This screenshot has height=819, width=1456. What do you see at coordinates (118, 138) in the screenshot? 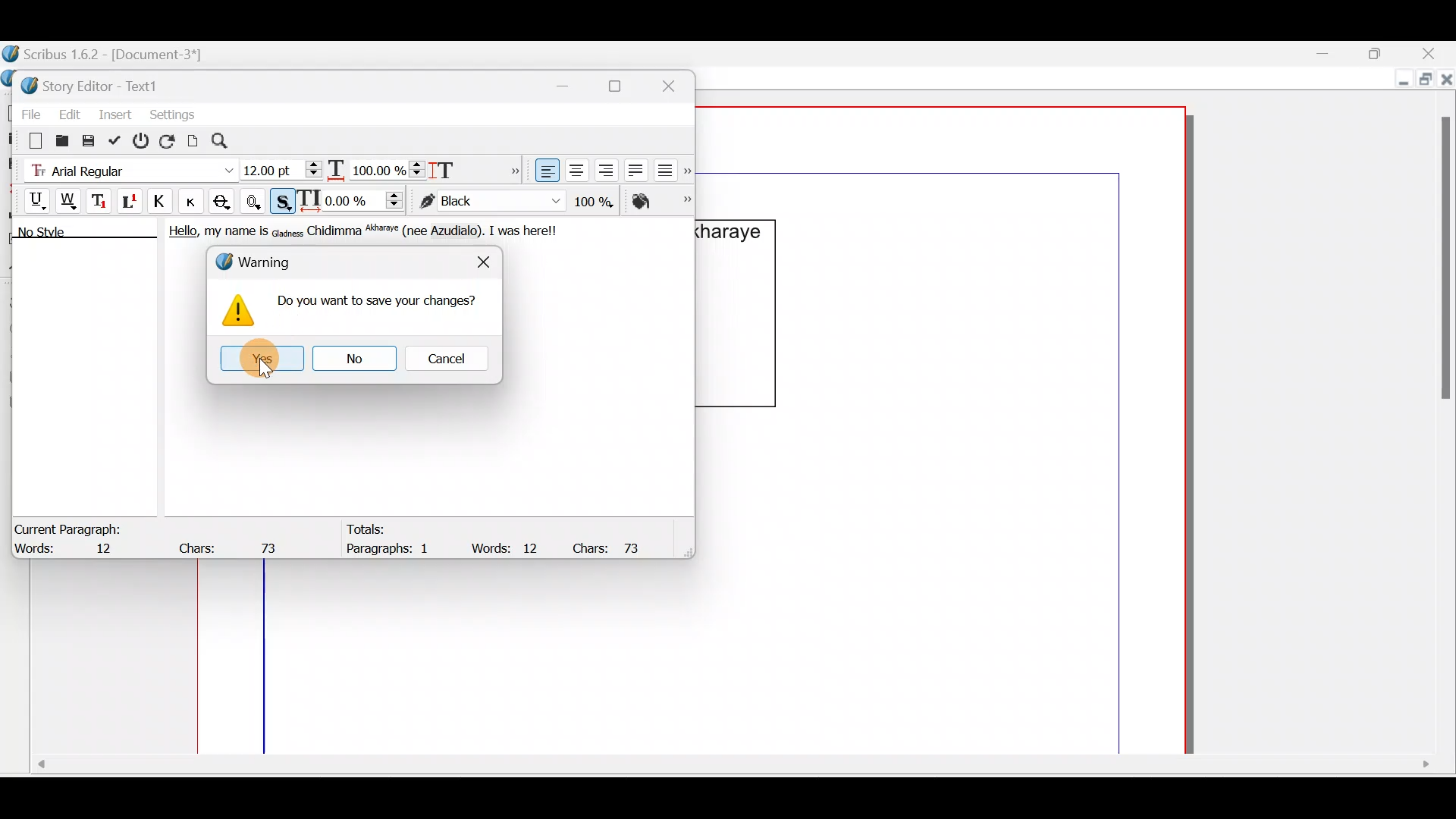
I see `Update text frame and exit` at bounding box center [118, 138].